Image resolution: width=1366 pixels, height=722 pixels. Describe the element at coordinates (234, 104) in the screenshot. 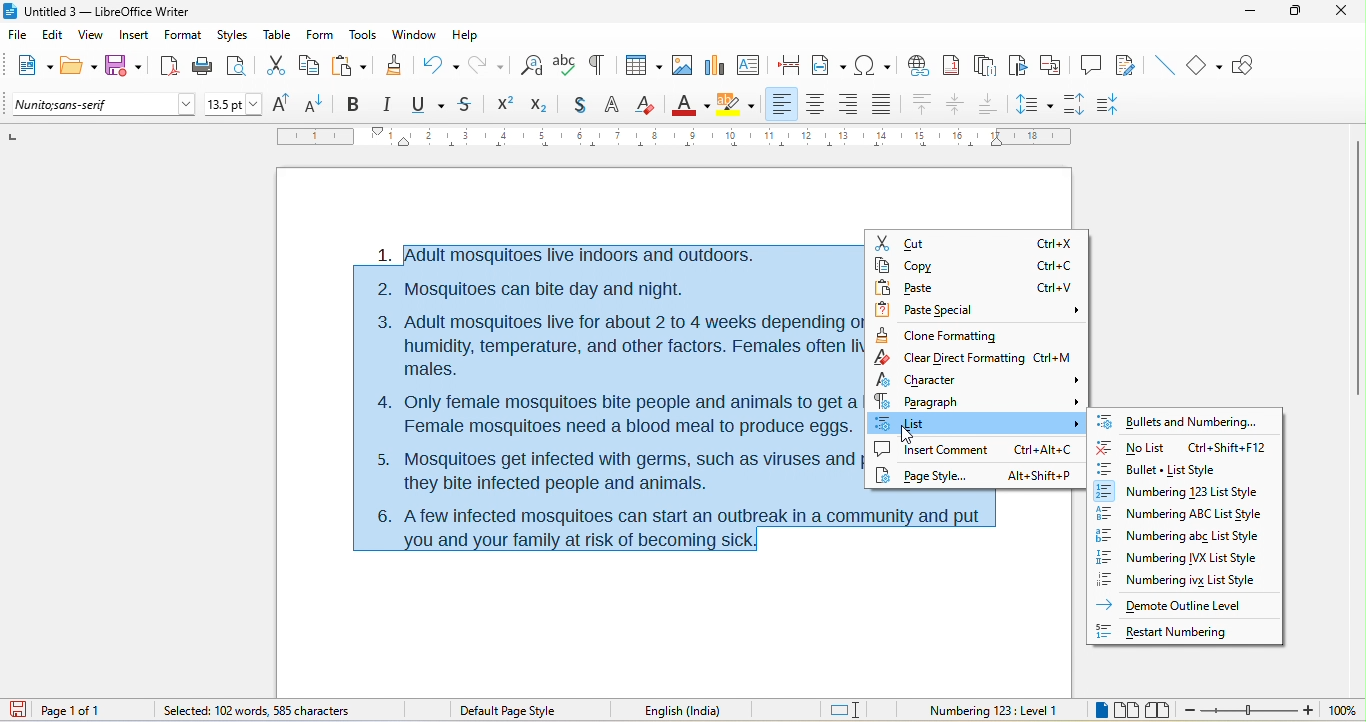

I see `font size` at that location.